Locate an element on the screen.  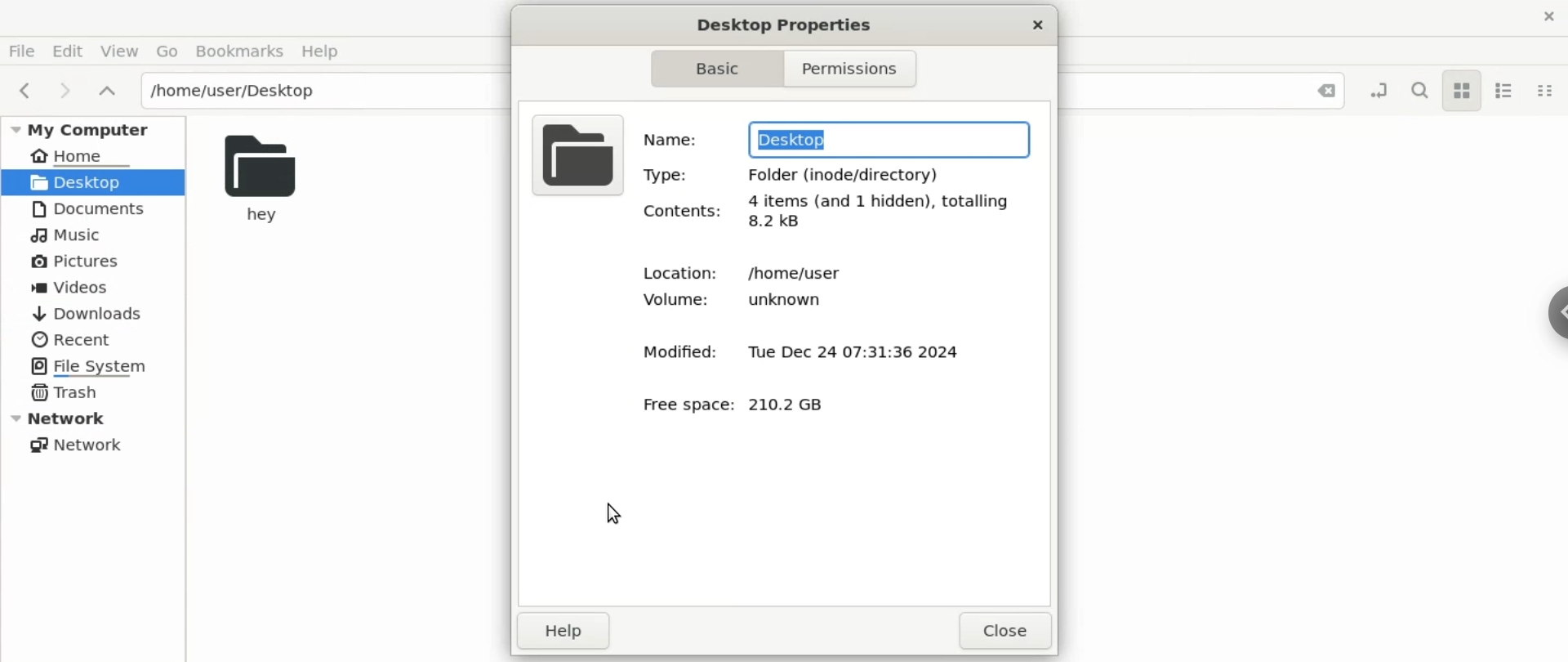
basic is located at coordinates (714, 68).